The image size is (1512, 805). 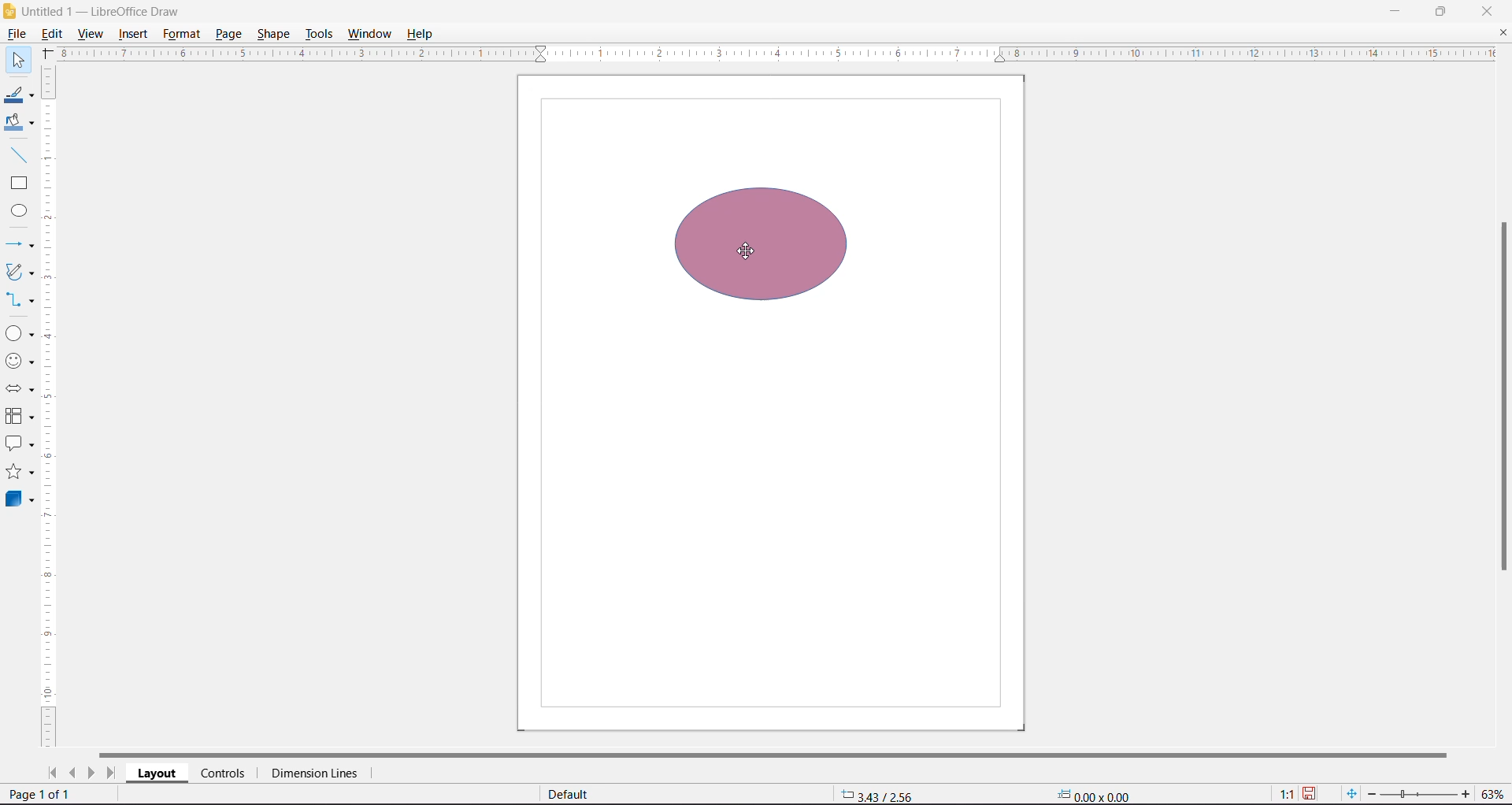 I want to click on Zoom In, so click(x=1463, y=794).